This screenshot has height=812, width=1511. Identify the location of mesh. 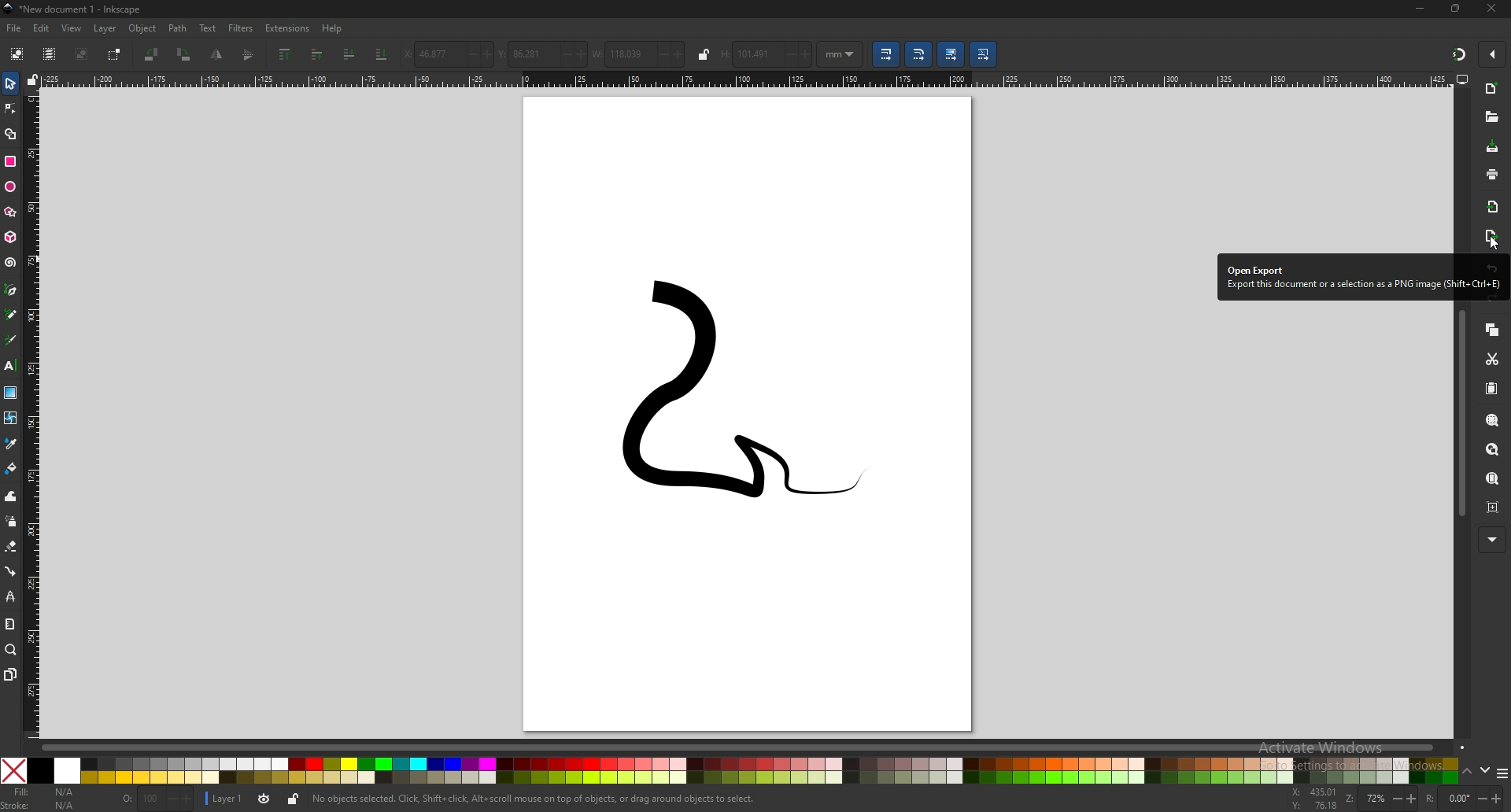
(11, 417).